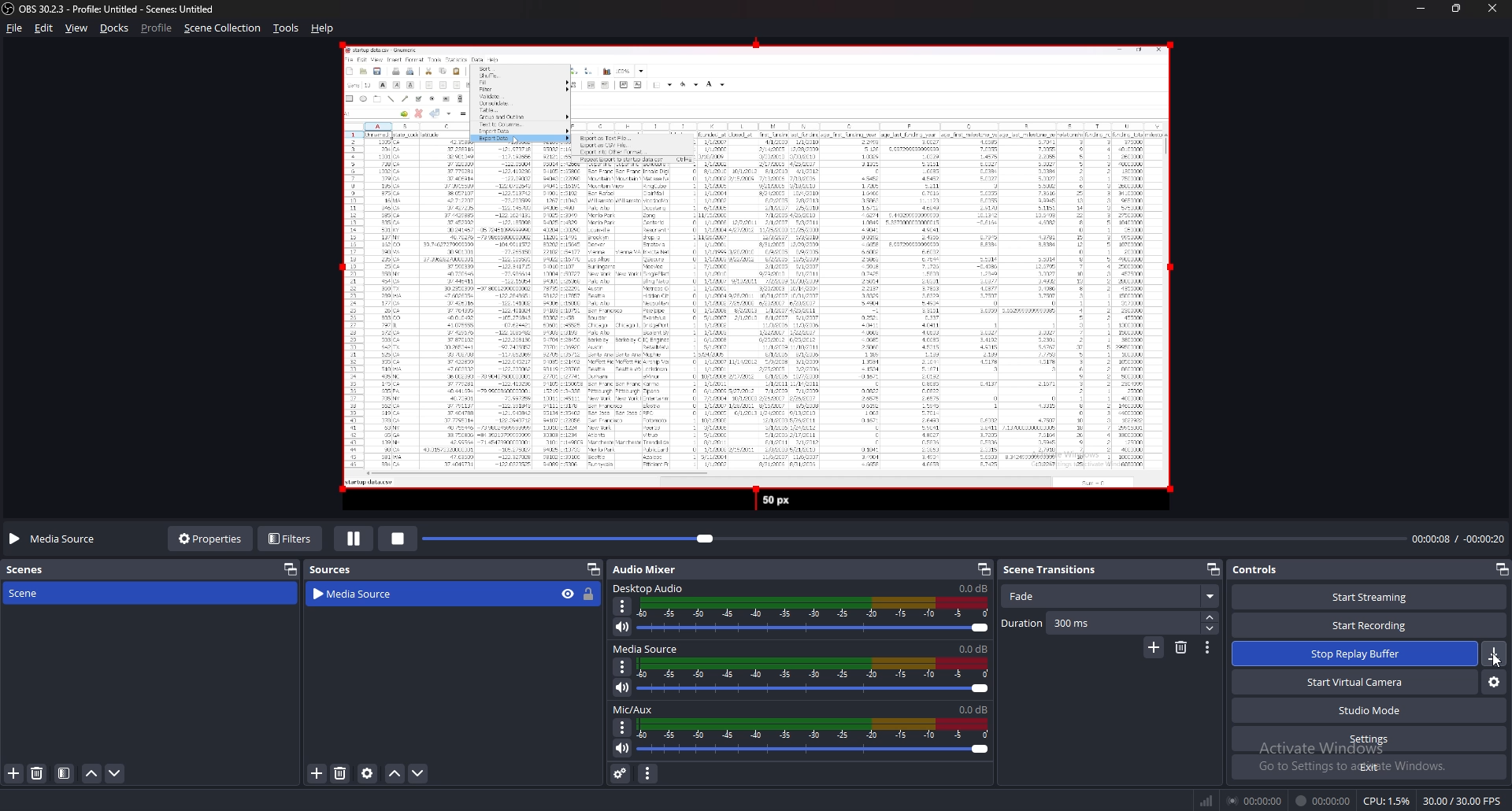  What do you see at coordinates (291, 569) in the screenshot?
I see `pop out` at bounding box center [291, 569].